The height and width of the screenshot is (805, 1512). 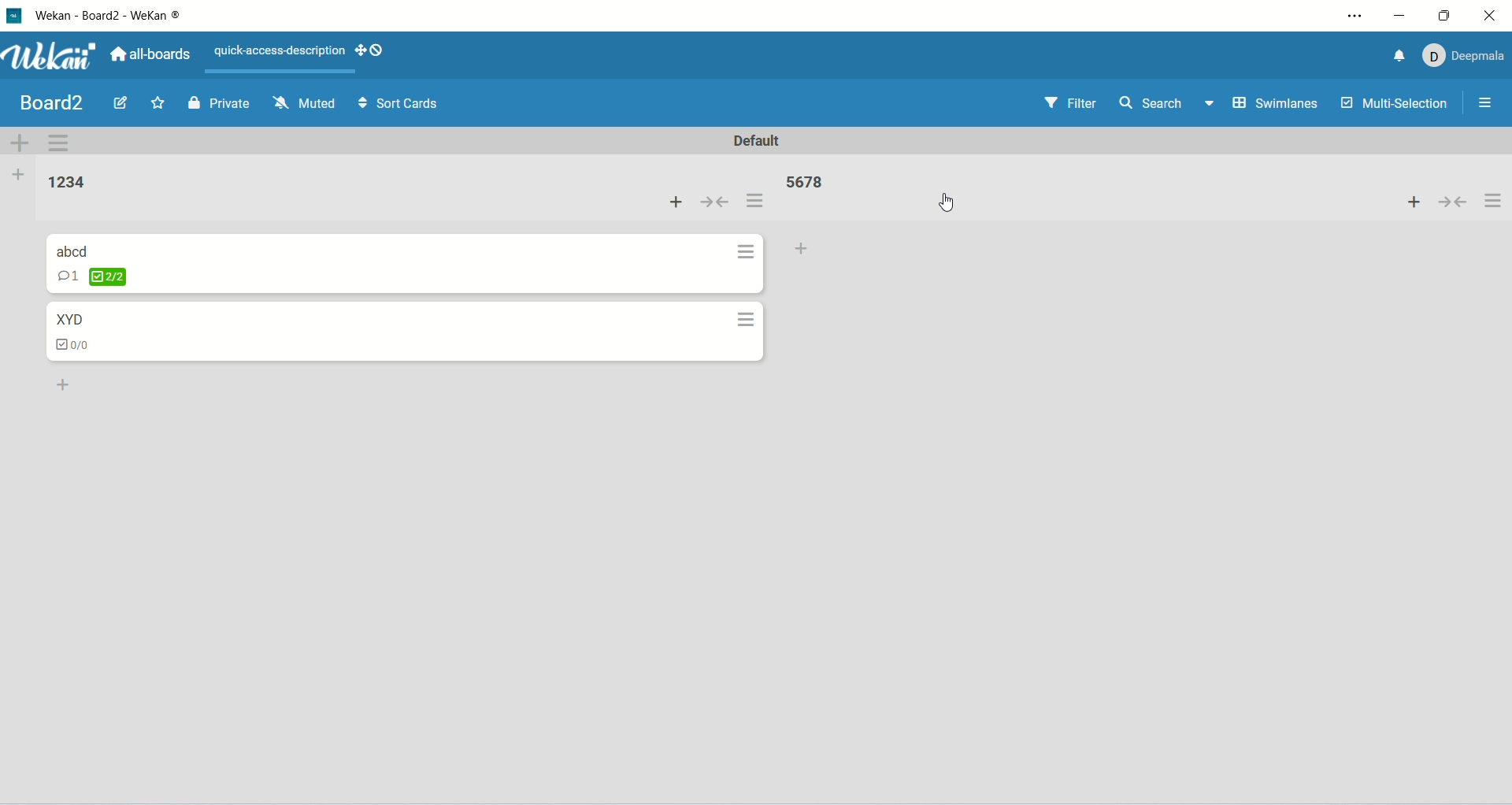 What do you see at coordinates (157, 104) in the screenshot?
I see `favorite` at bounding box center [157, 104].